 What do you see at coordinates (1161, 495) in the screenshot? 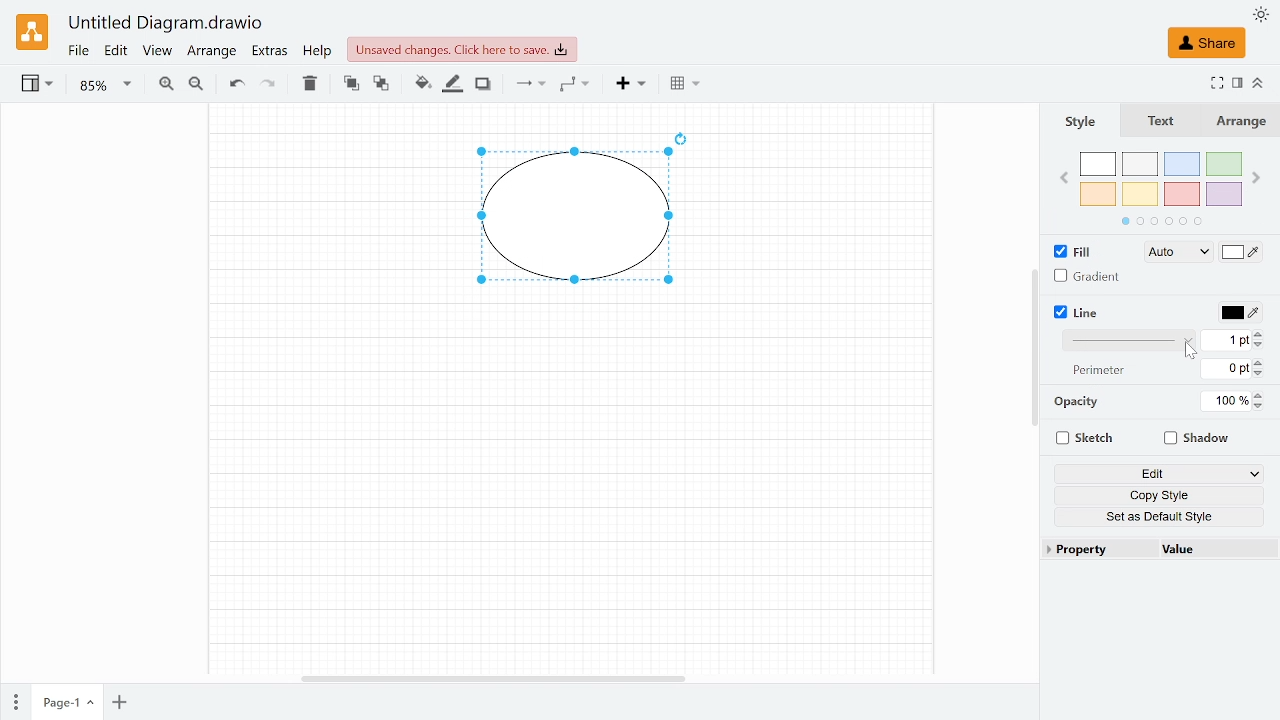
I see `Copy style` at bounding box center [1161, 495].